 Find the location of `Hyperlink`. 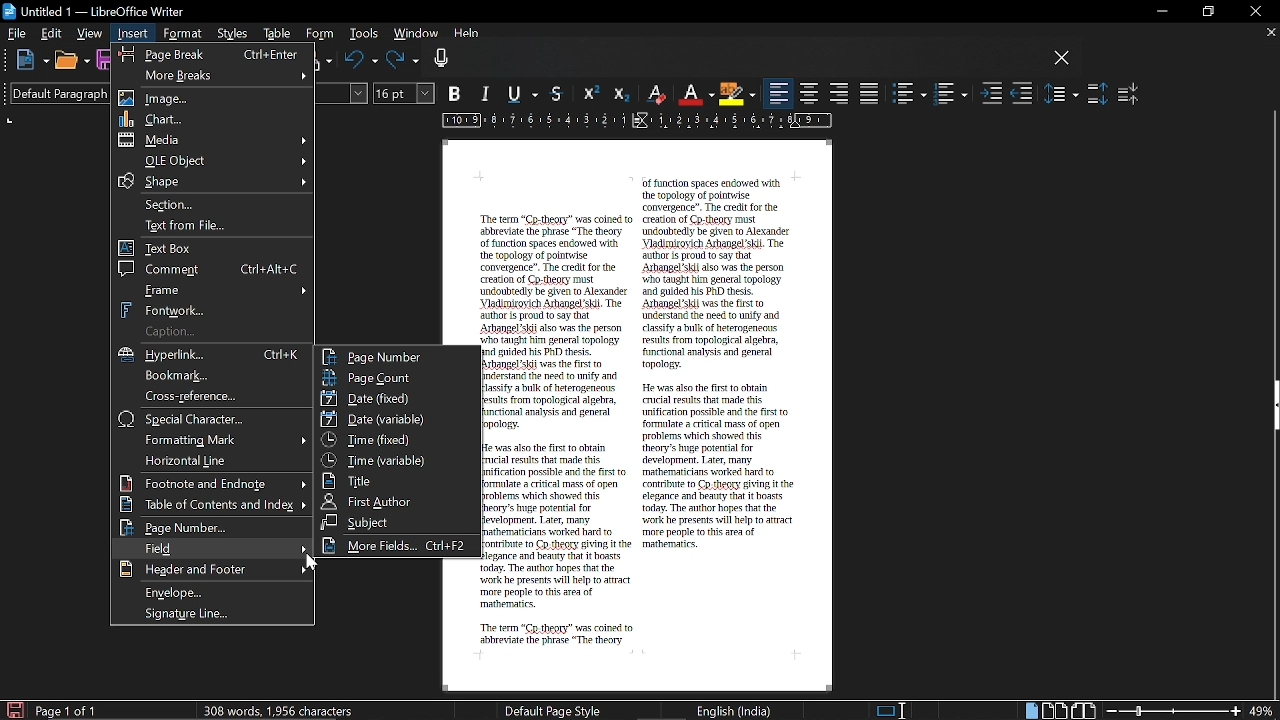

Hyperlink is located at coordinates (216, 355).